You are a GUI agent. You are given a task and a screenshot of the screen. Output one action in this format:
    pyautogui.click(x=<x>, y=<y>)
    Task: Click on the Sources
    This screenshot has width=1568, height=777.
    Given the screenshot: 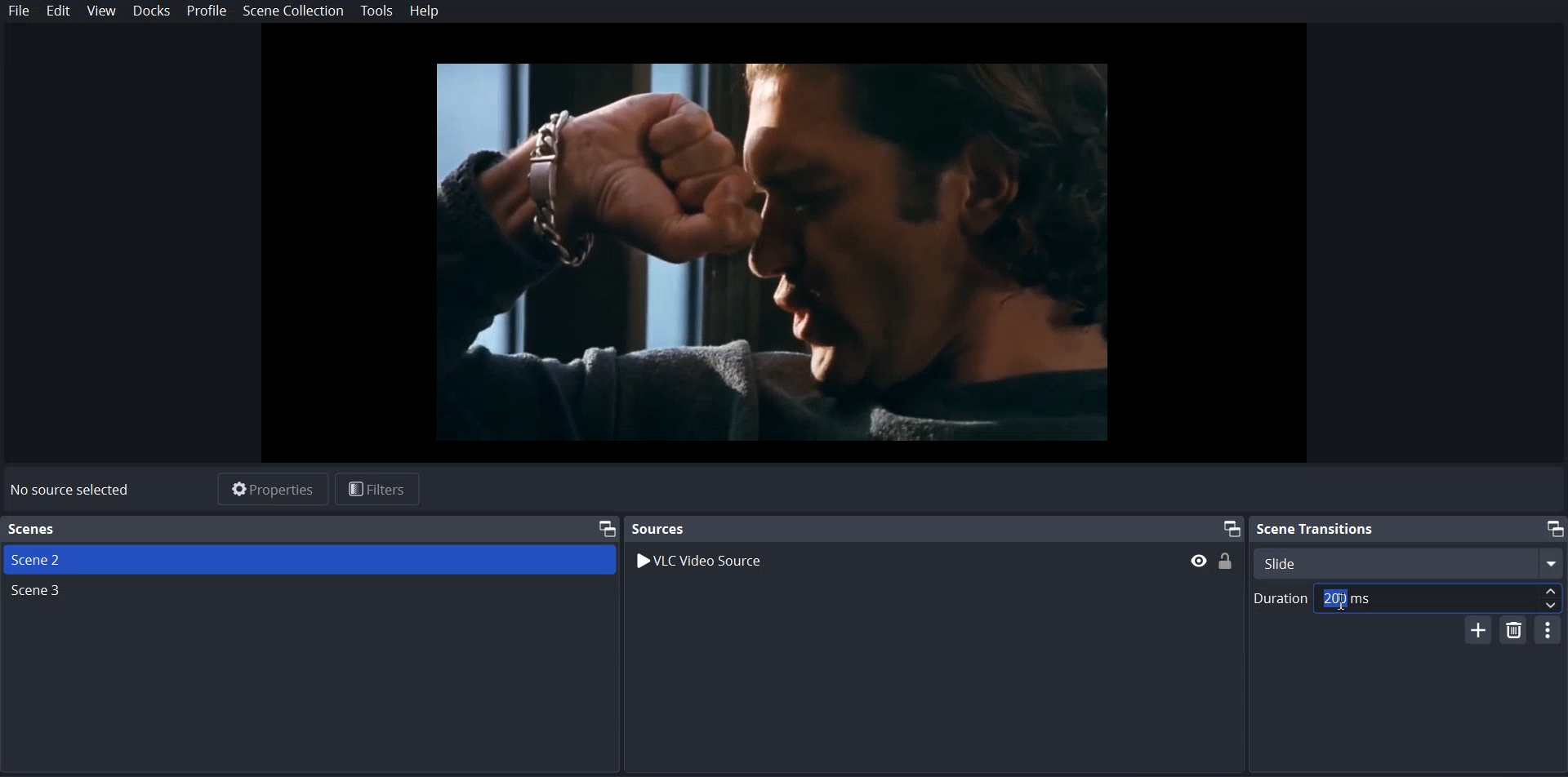 What is the action you would take?
    pyautogui.click(x=933, y=528)
    